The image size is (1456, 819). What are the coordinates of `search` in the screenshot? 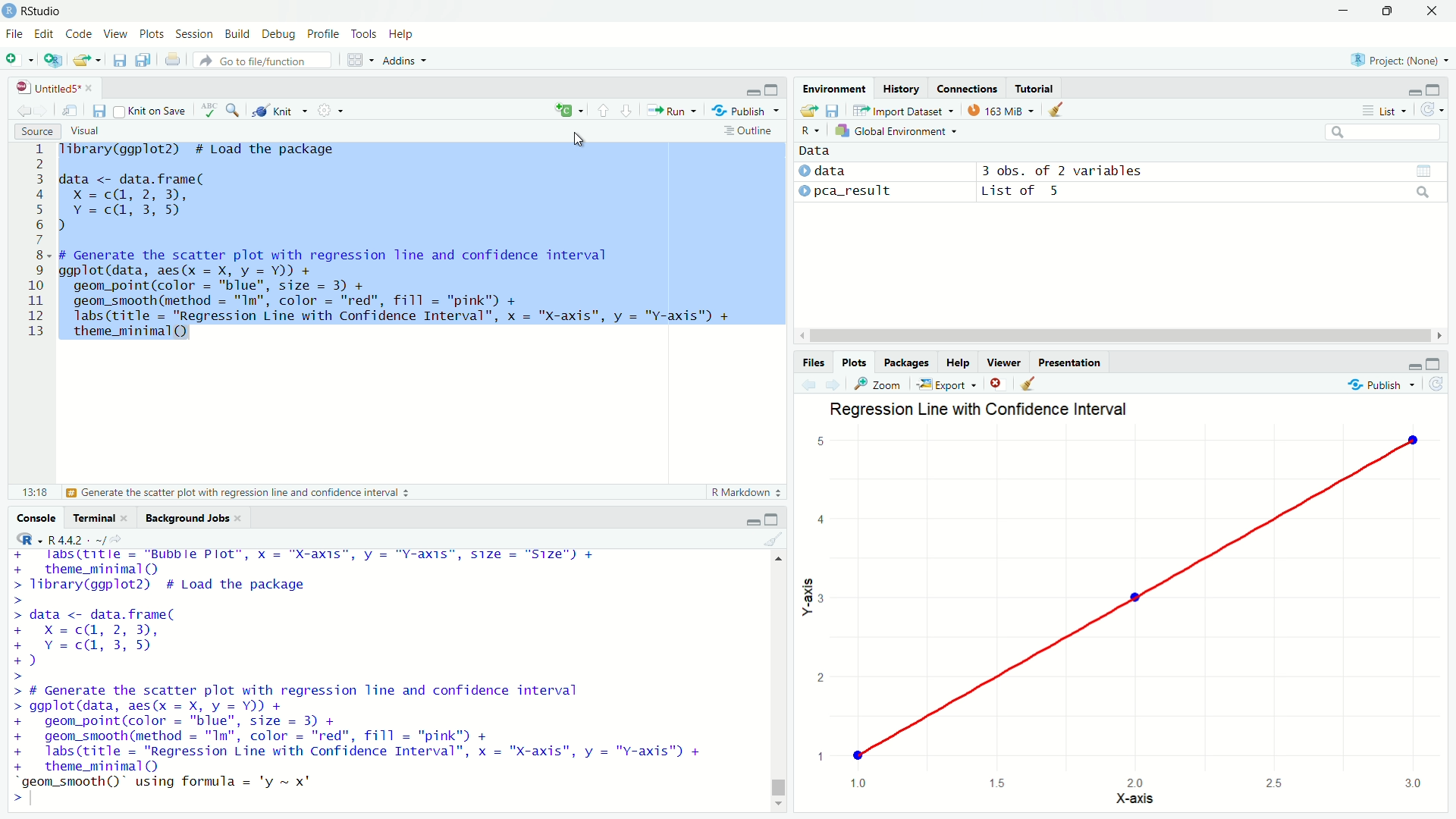 It's located at (1423, 193).